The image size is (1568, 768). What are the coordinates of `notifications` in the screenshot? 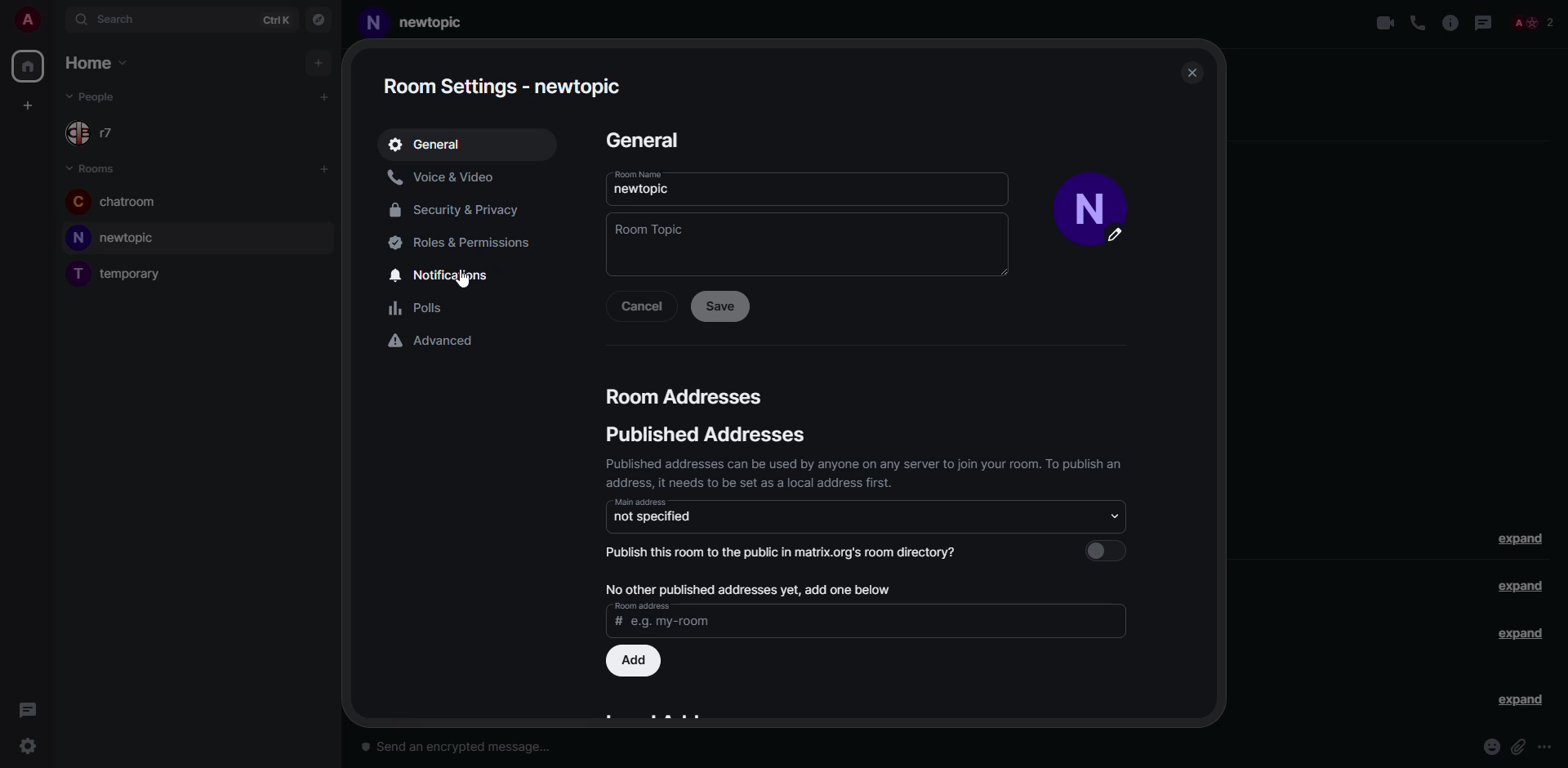 It's located at (443, 275).